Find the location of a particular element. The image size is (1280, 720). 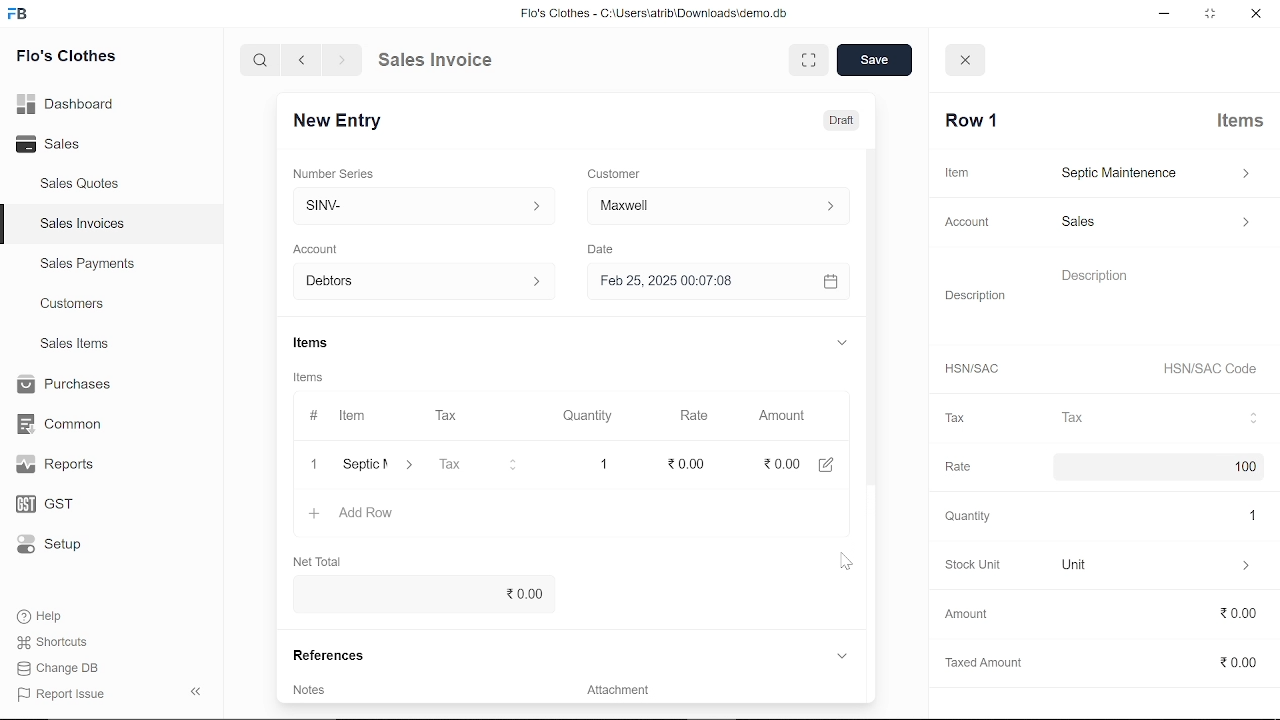

 Quantity is located at coordinates (579, 416).